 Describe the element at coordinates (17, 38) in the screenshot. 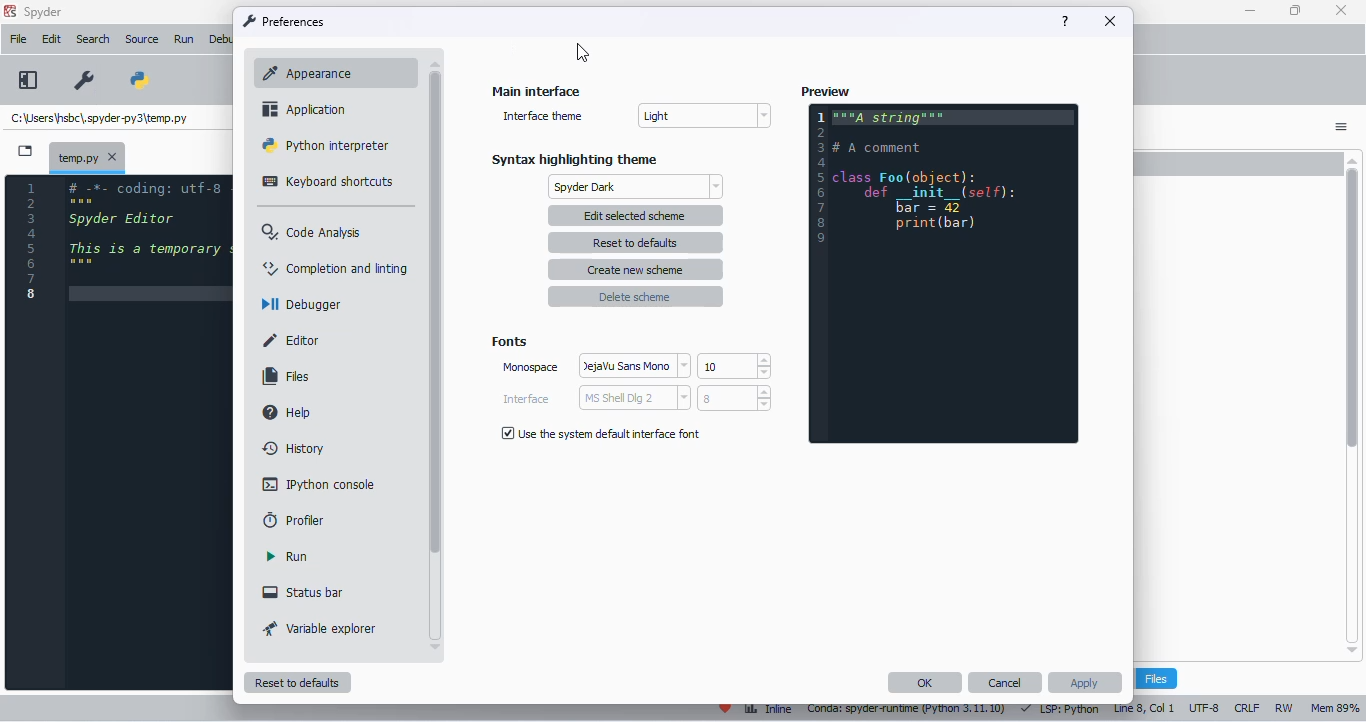

I see `file` at that location.